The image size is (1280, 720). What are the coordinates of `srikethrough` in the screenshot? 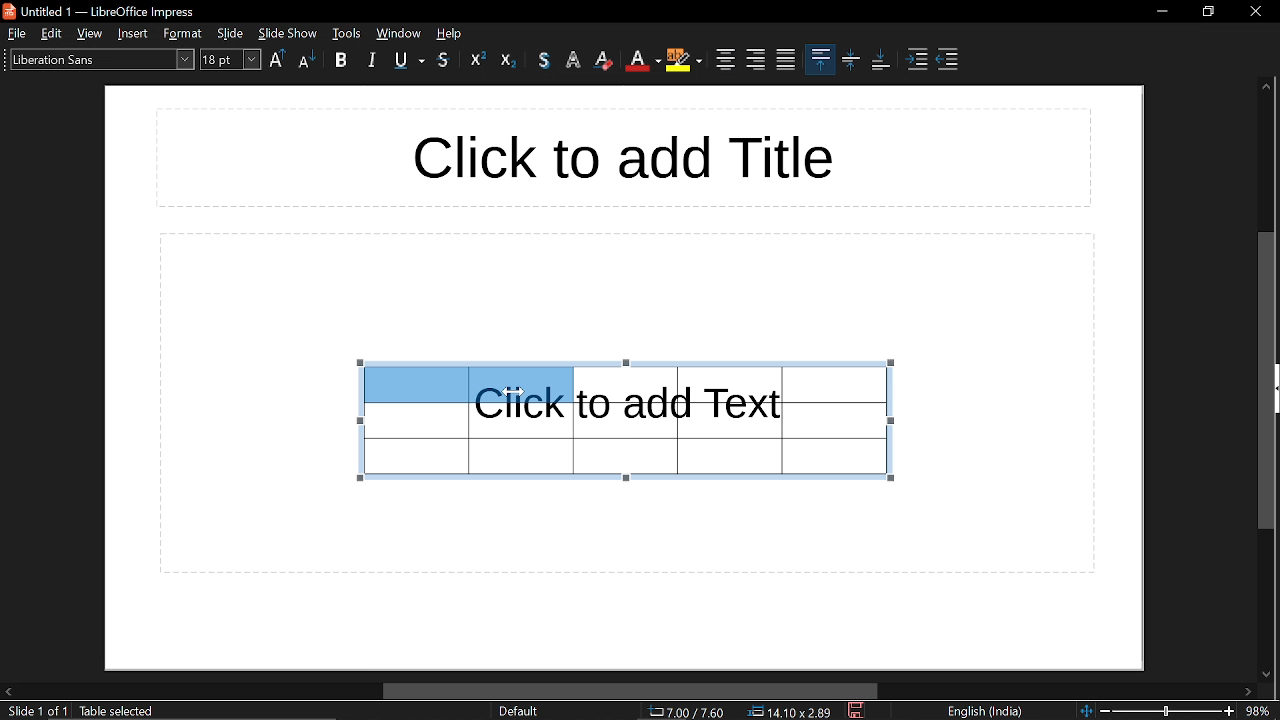 It's located at (444, 60).